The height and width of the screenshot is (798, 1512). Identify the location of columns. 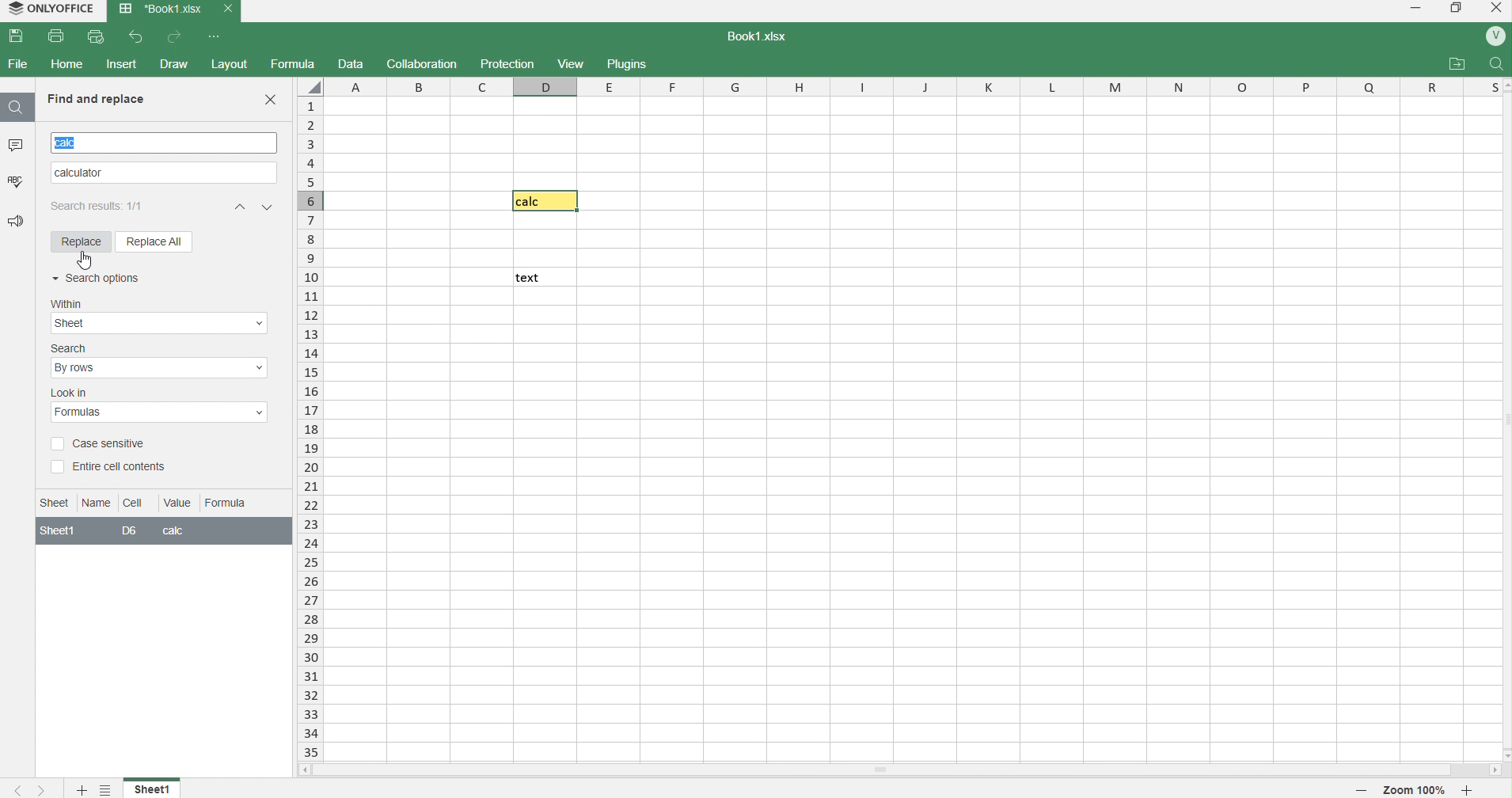
(915, 86).